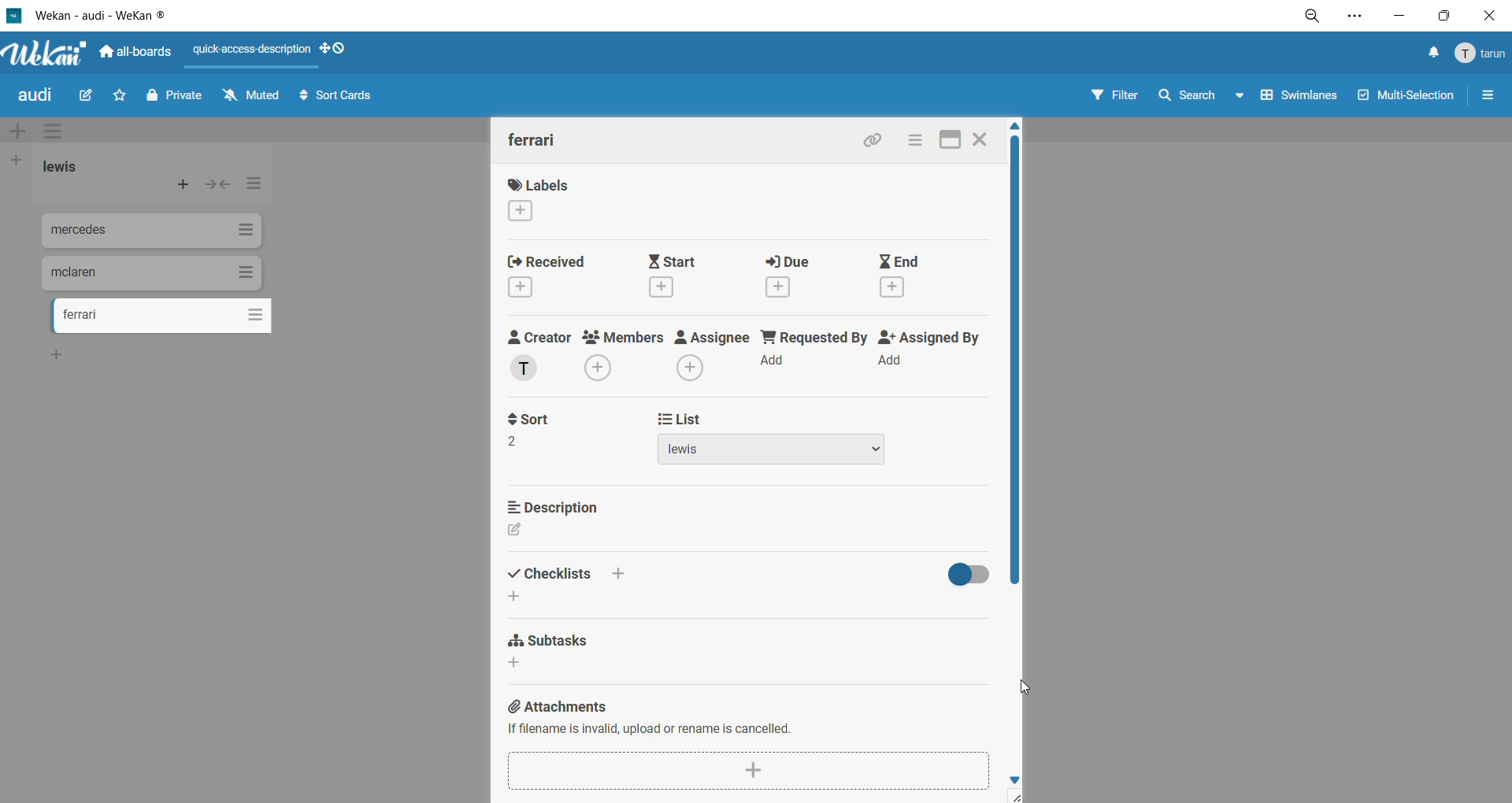  Describe the element at coordinates (220, 186) in the screenshot. I see `collapse` at that location.